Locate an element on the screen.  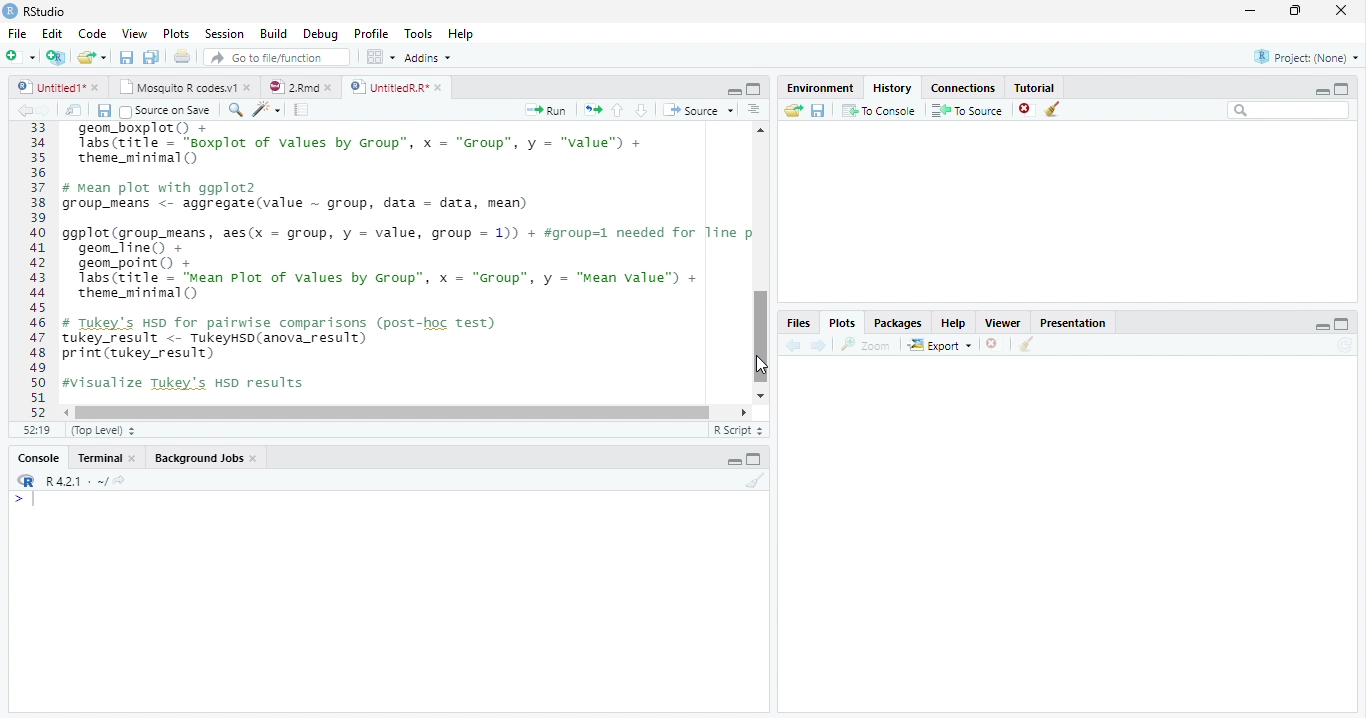
Untitled is located at coordinates (59, 87).